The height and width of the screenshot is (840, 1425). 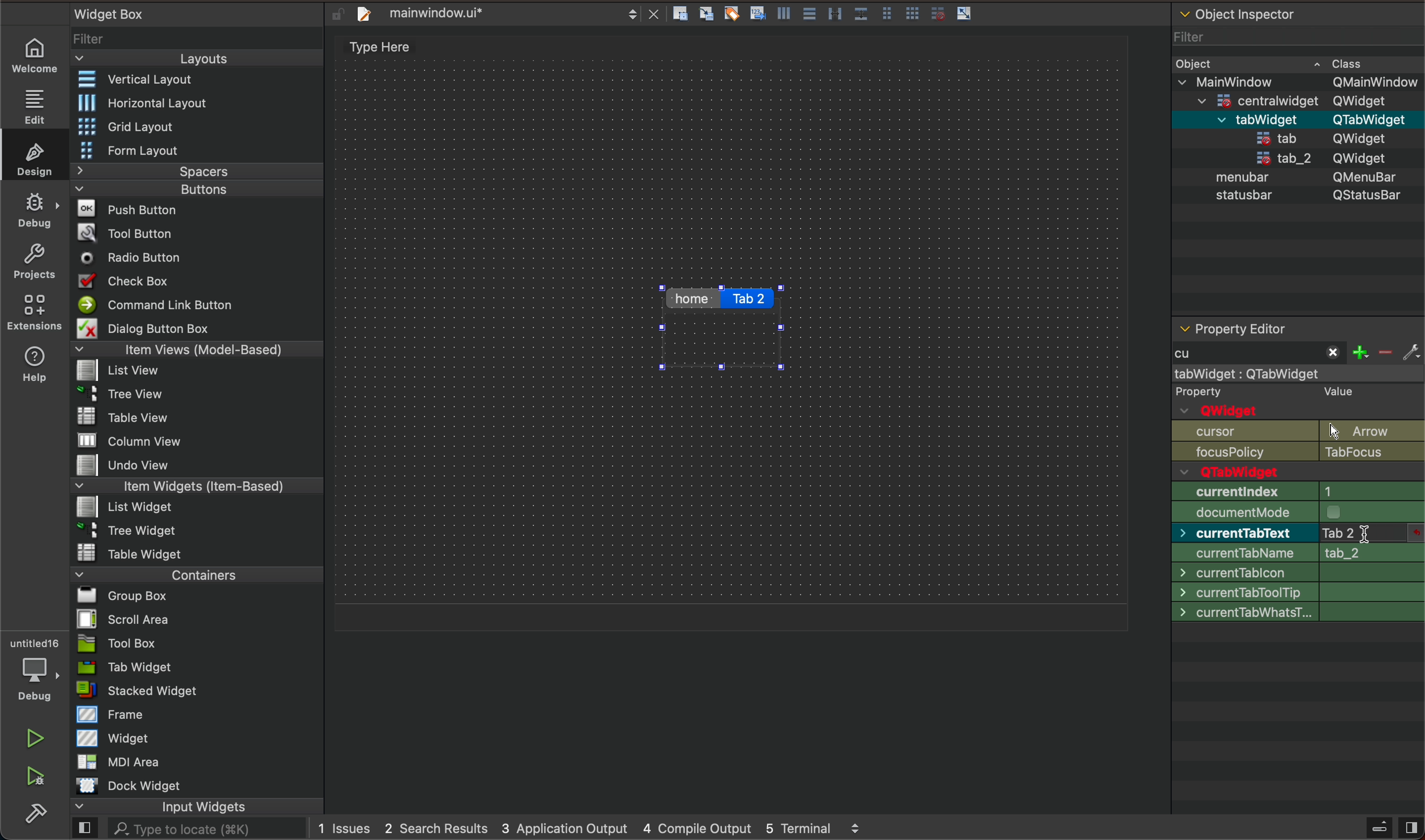 What do you see at coordinates (1342, 60) in the screenshot?
I see `~ Class` at bounding box center [1342, 60].